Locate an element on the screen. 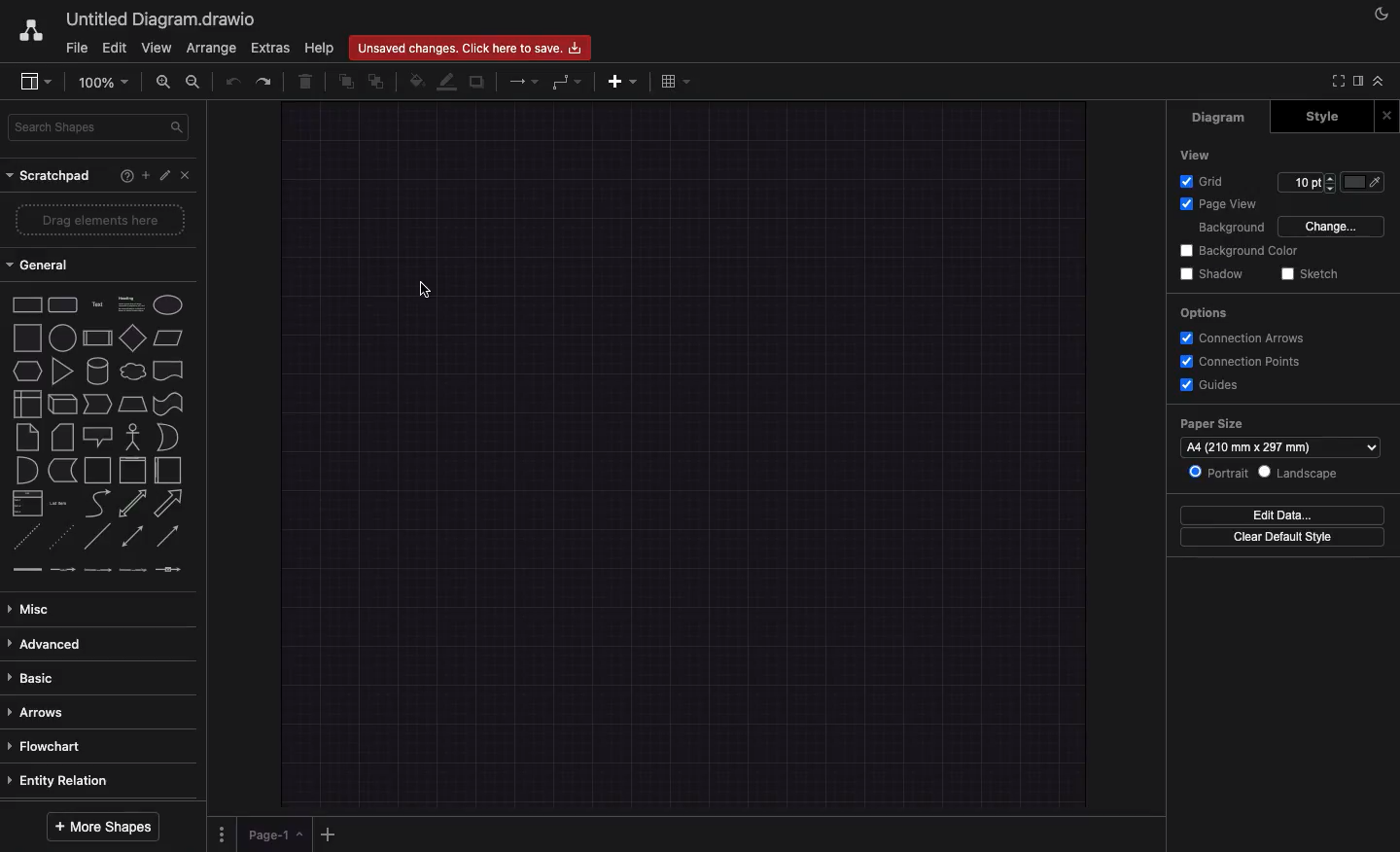 The height and width of the screenshot is (852, 1400). Advanced is located at coordinates (47, 642).